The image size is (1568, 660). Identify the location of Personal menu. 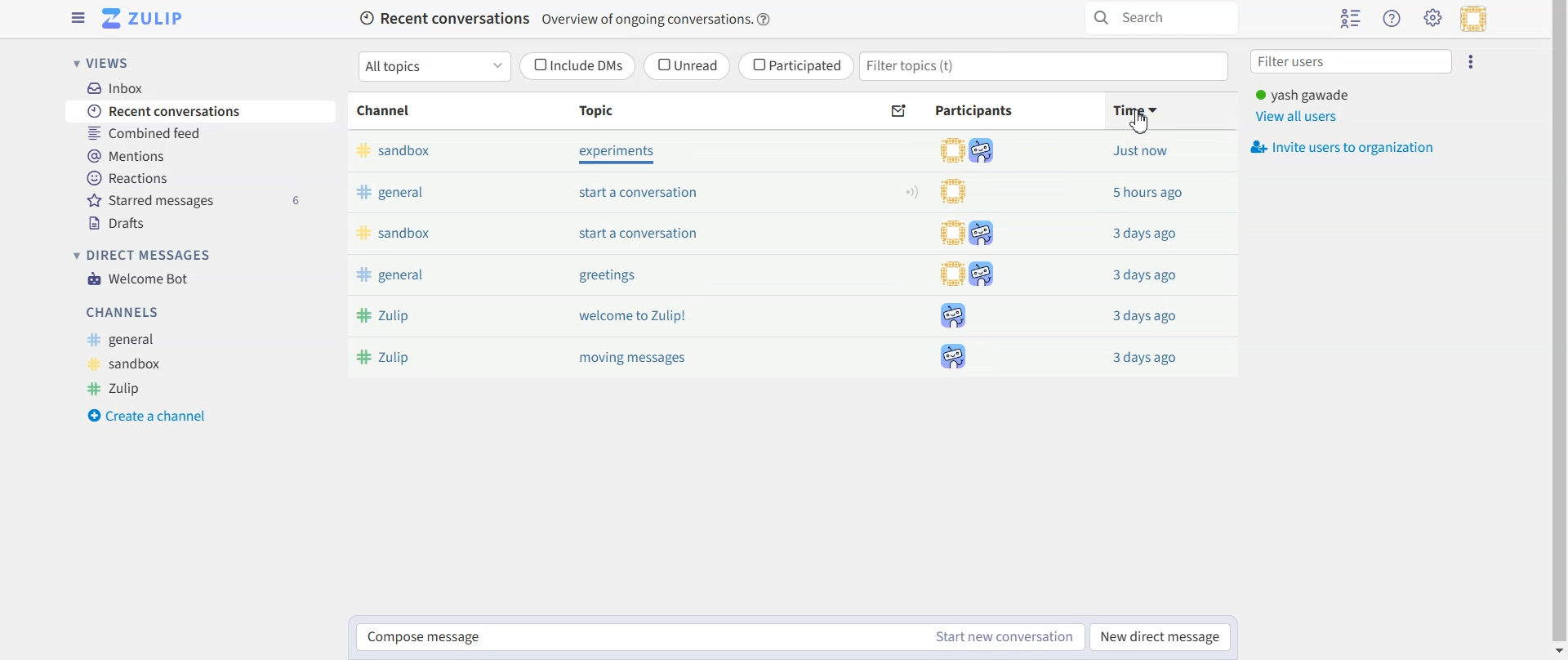
(1476, 19).